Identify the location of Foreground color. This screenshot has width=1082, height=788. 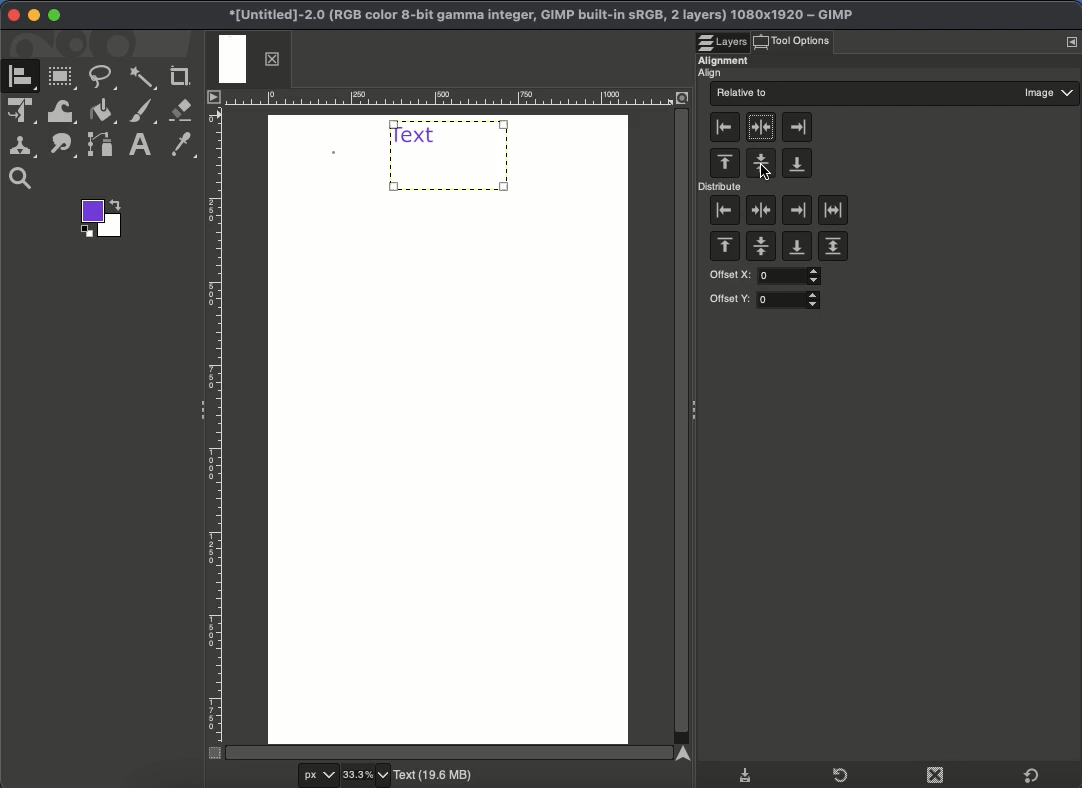
(103, 218).